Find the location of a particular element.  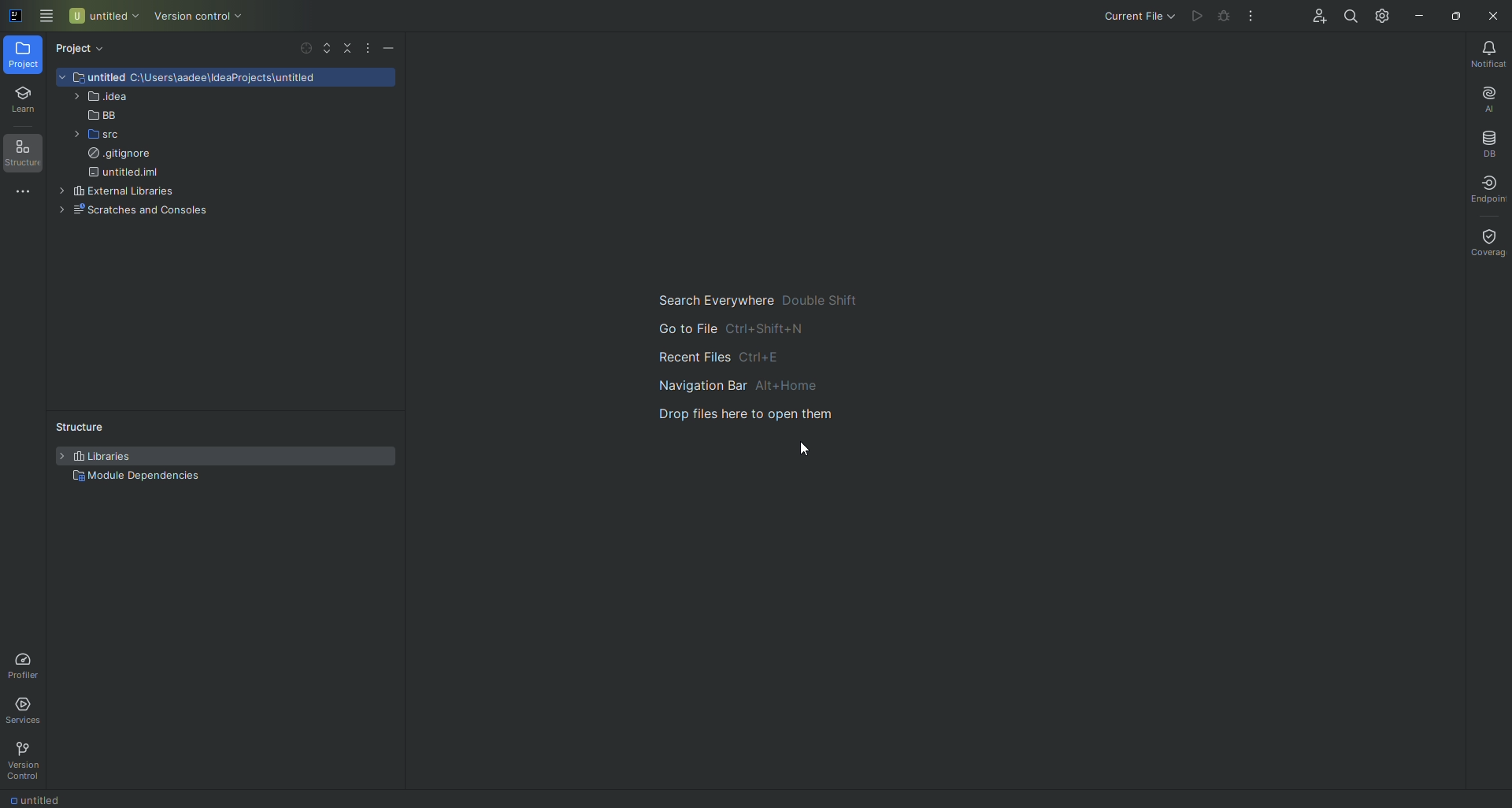

External Libraries is located at coordinates (115, 191).